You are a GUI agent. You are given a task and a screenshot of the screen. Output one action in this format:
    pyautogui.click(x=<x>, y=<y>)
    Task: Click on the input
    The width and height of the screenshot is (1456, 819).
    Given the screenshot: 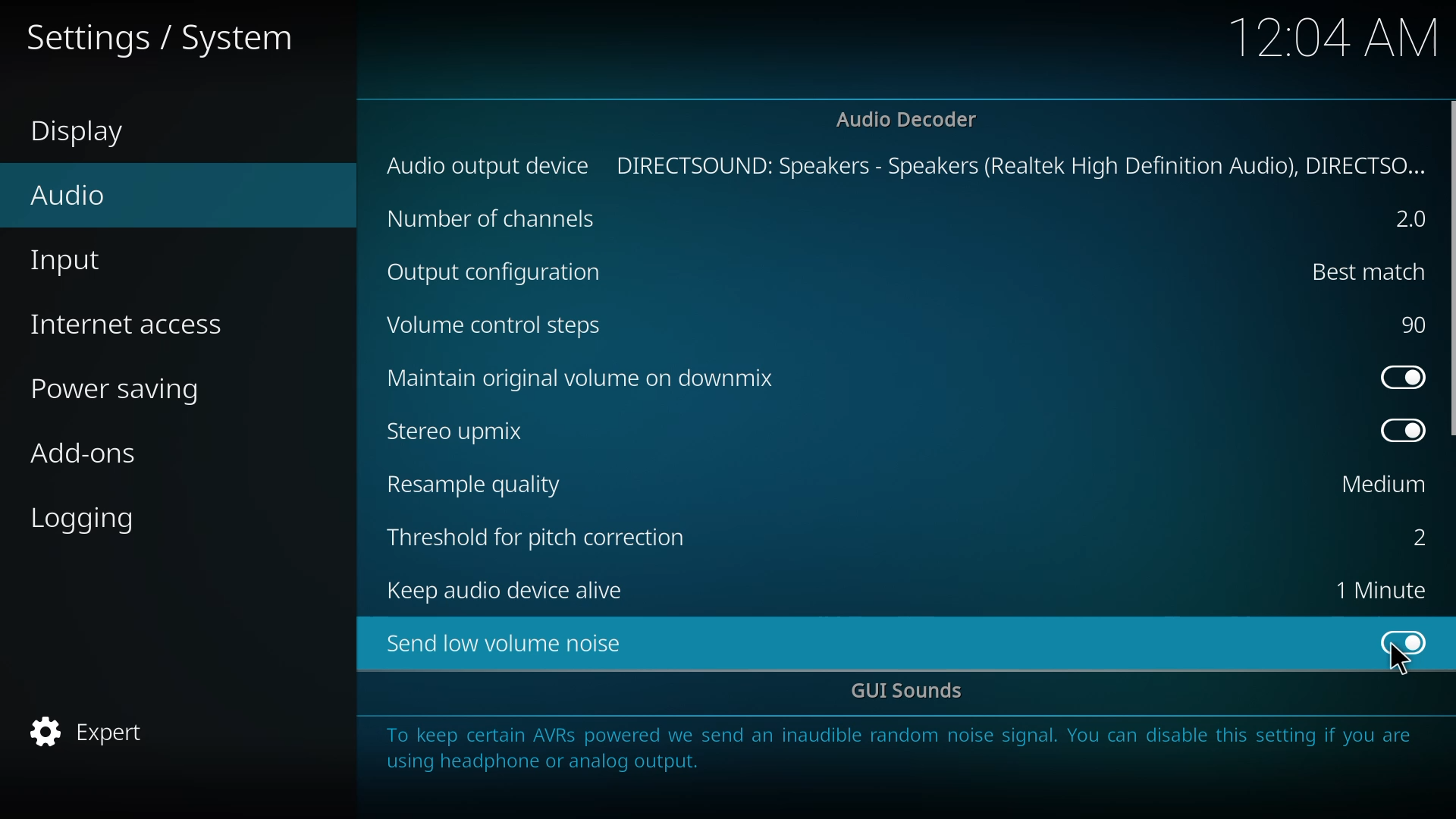 What is the action you would take?
    pyautogui.click(x=83, y=262)
    